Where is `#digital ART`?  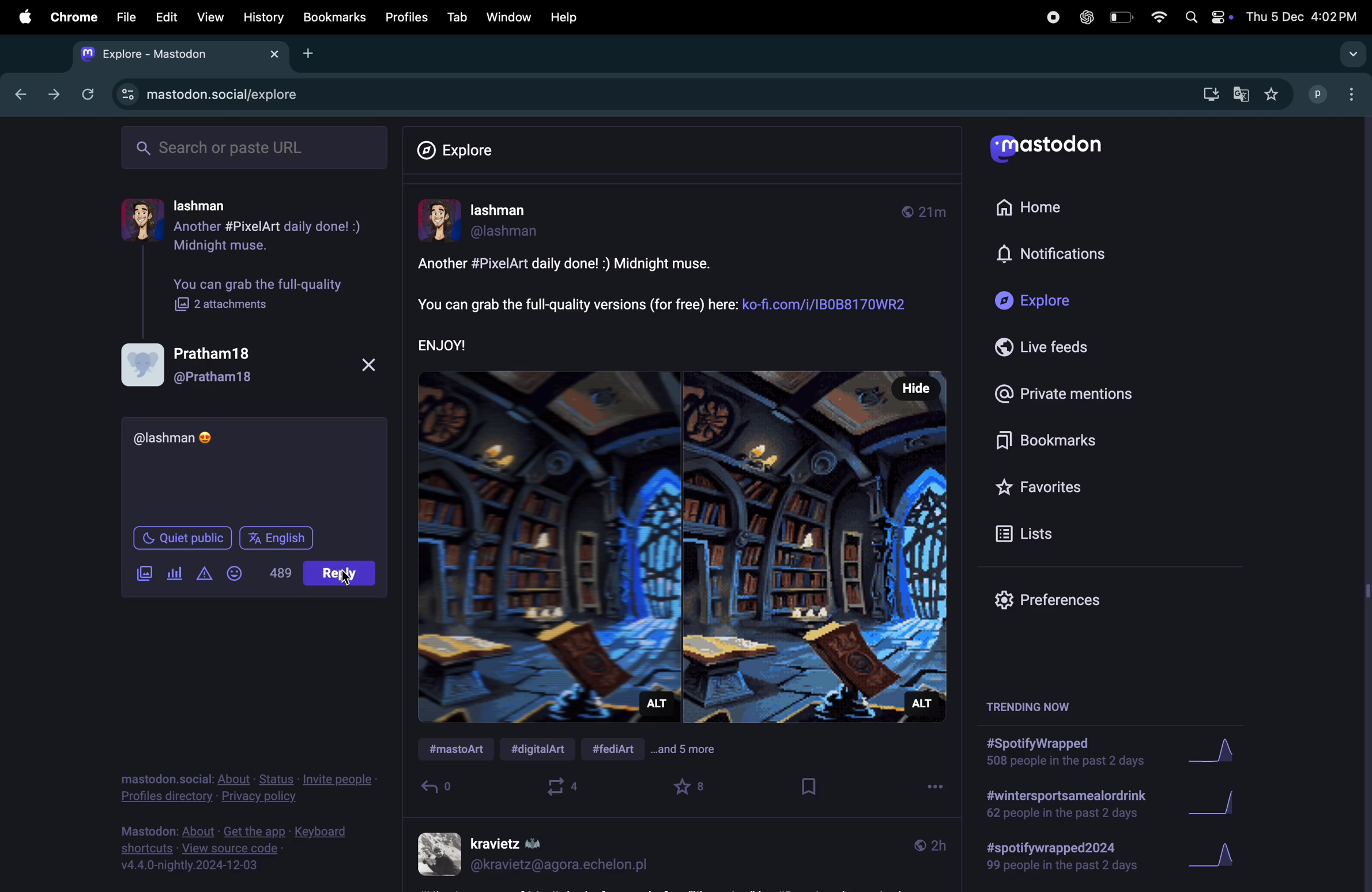 #digital ART is located at coordinates (545, 751).